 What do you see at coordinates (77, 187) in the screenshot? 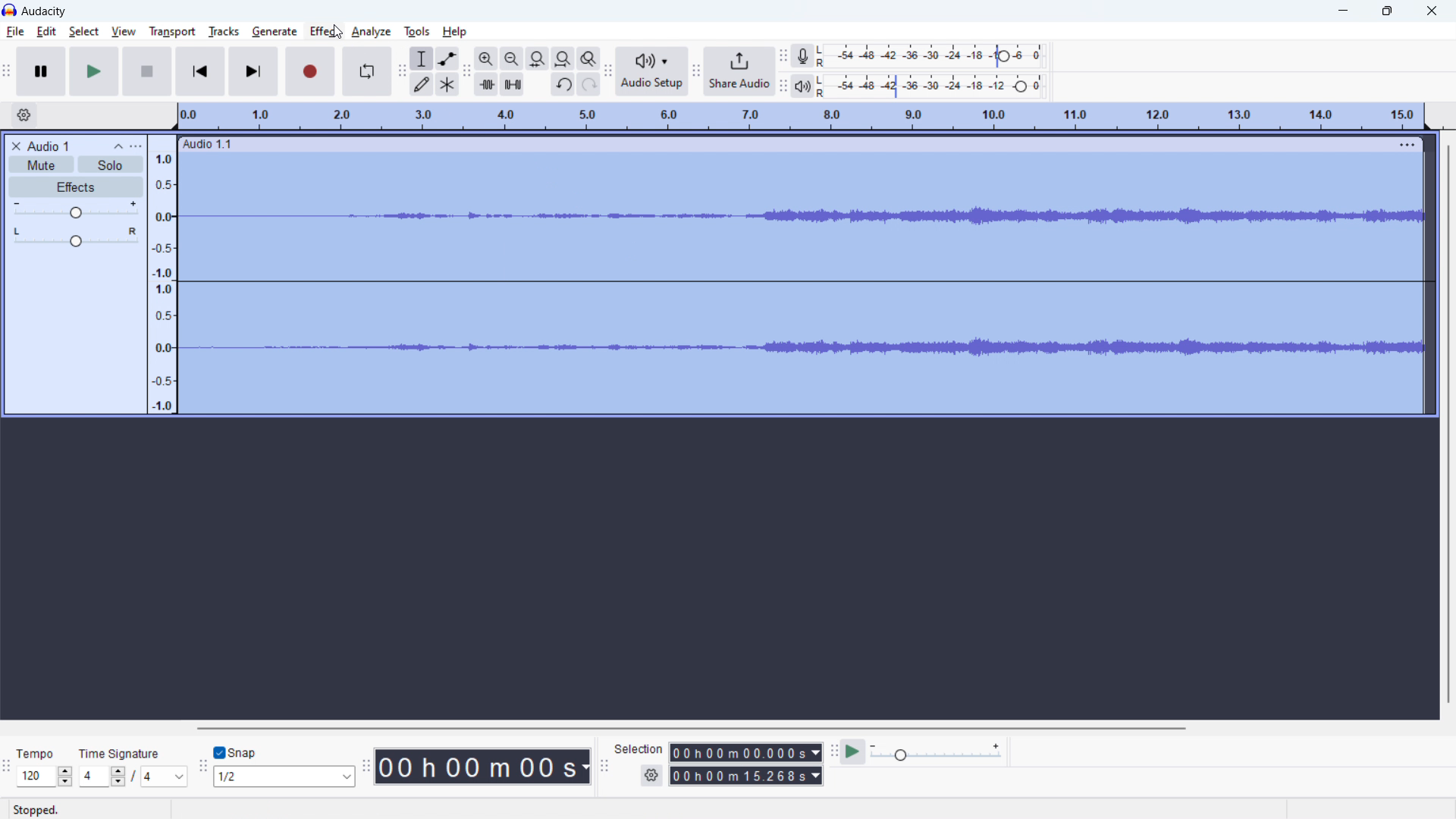
I see `effects` at bounding box center [77, 187].